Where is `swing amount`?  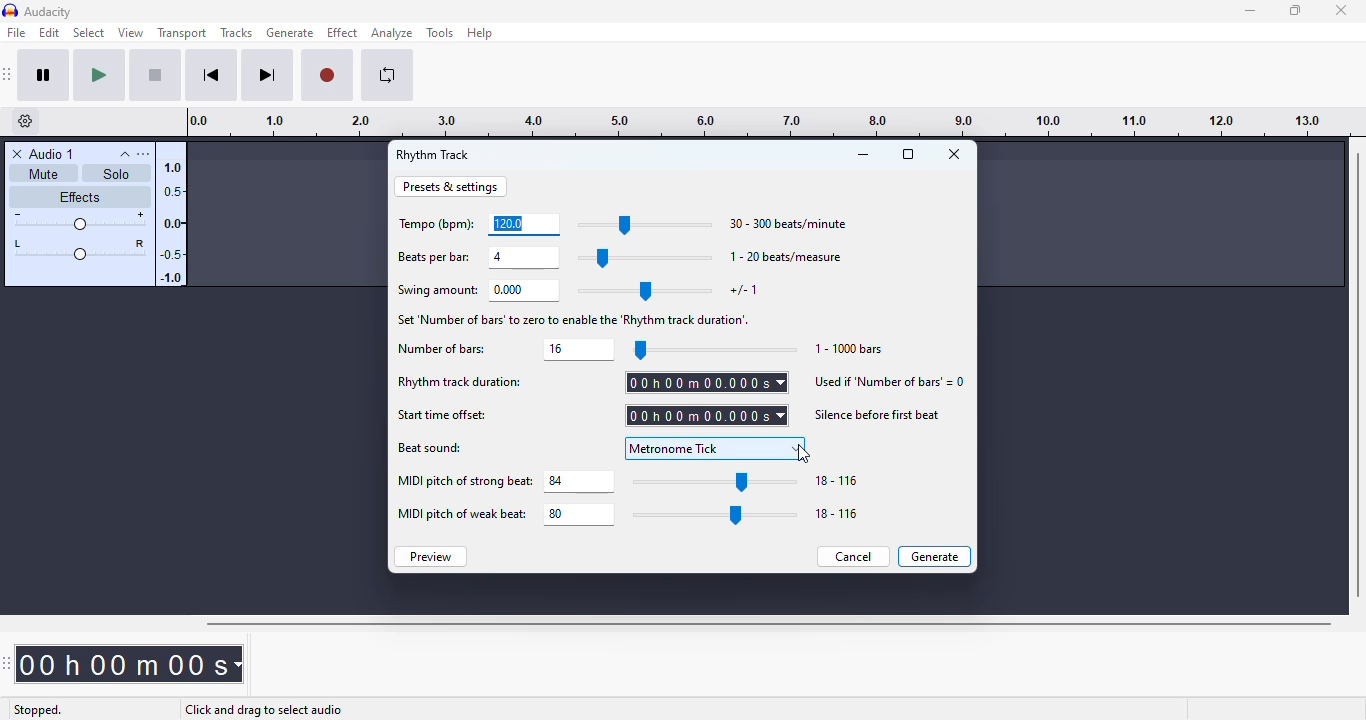 swing amount is located at coordinates (437, 291).